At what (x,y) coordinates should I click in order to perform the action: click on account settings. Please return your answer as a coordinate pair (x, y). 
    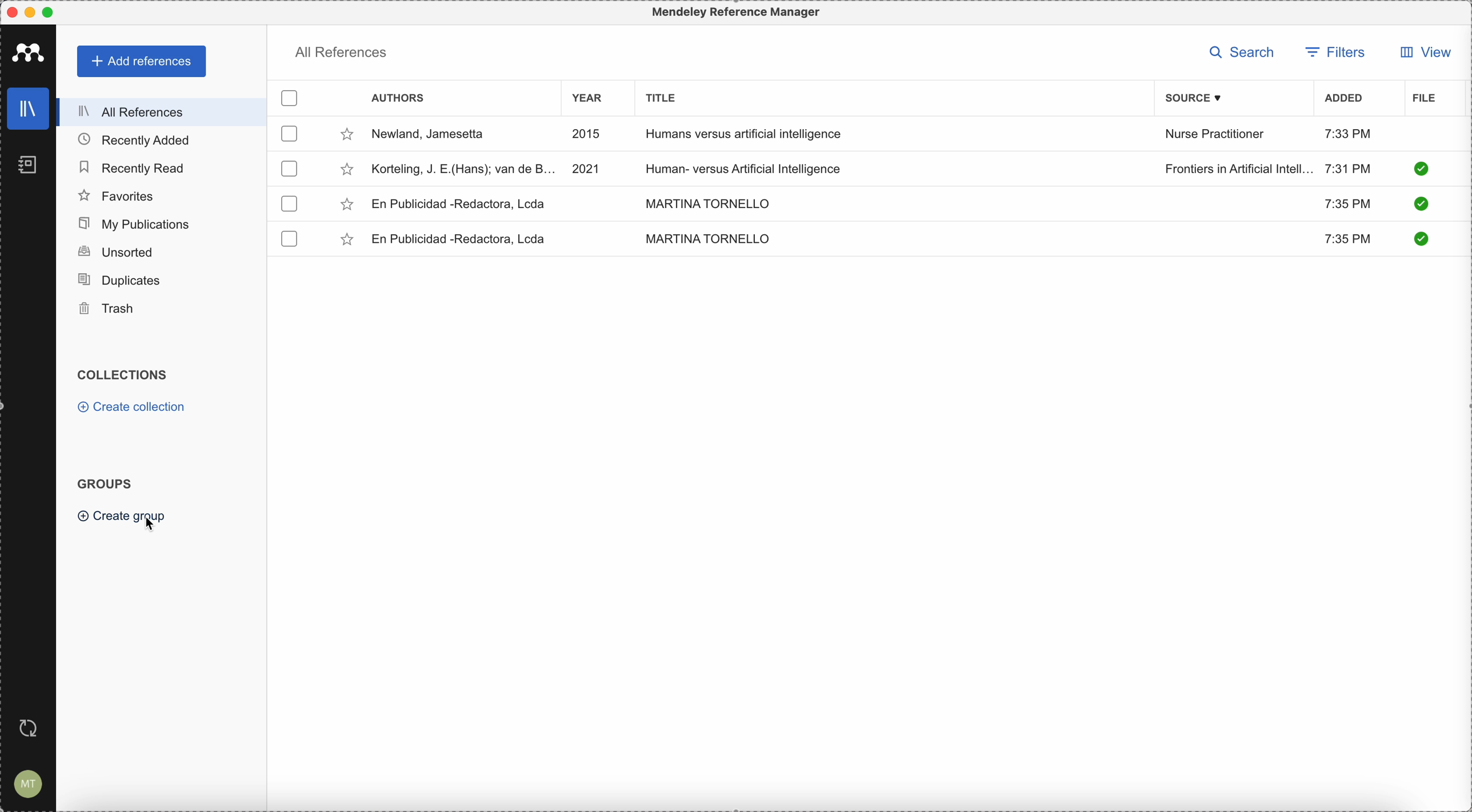
    Looking at the image, I should click on (26, 785).